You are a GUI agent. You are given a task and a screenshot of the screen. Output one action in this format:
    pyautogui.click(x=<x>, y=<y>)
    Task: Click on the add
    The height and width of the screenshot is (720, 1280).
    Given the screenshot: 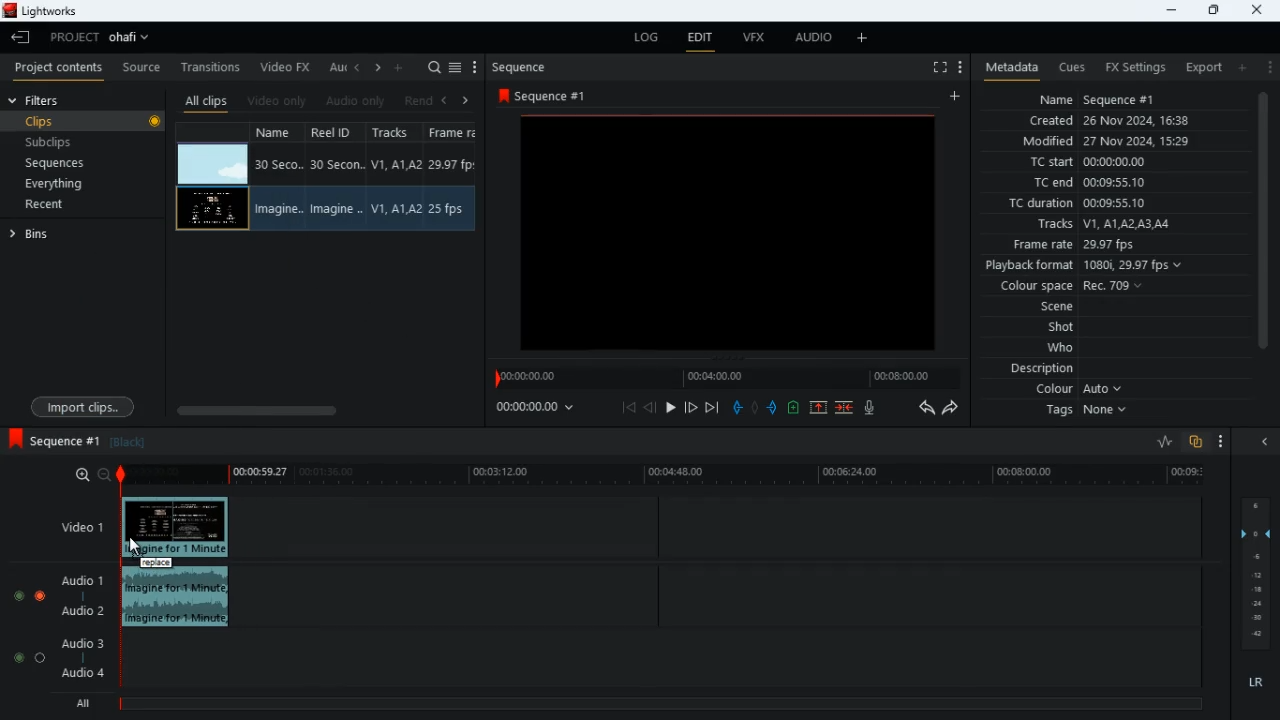 What is the action you would take?
    pyautogui.click(x=1241, y=67)
    